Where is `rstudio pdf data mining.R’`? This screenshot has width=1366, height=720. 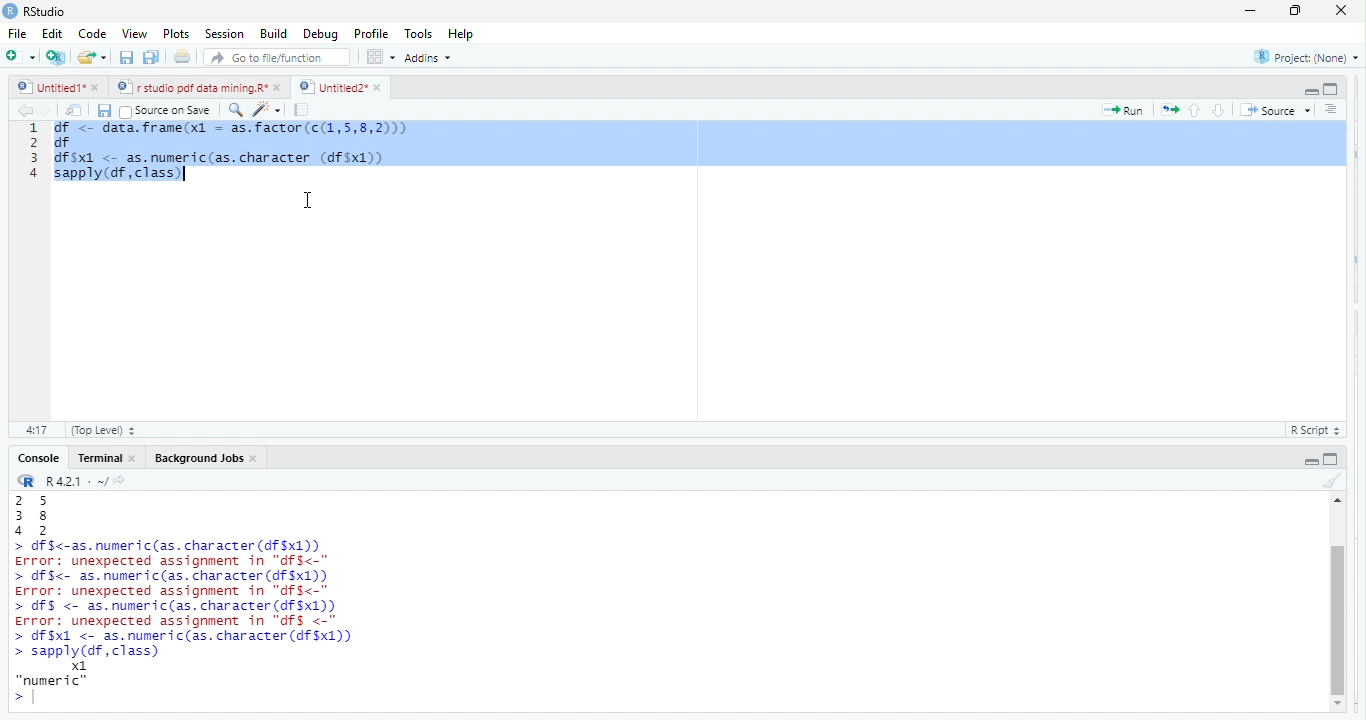 rstudio pdf data mining.R’ is located at coordinates (191, 87).